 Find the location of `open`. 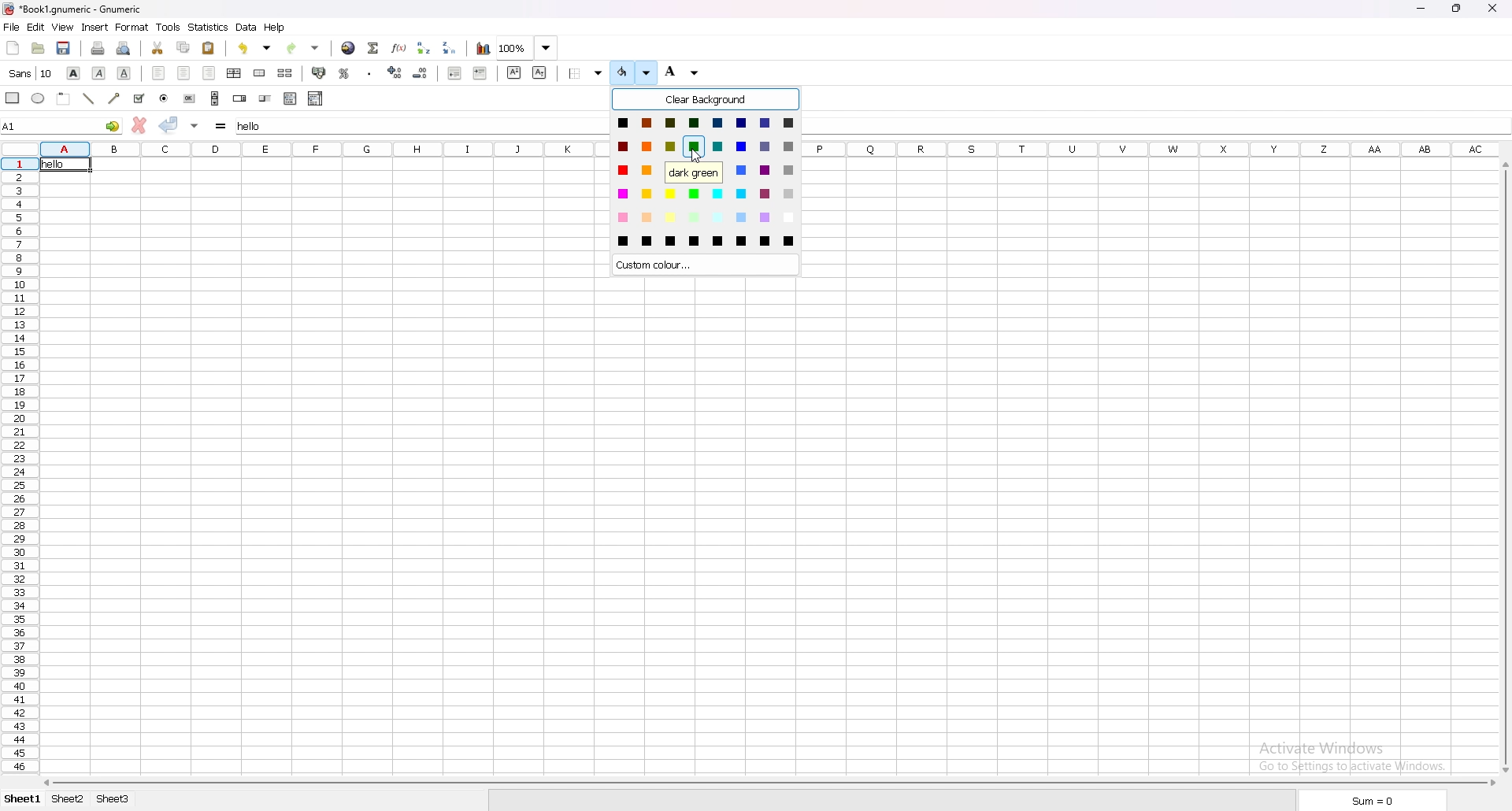

open is located at coordinates (38, 48).